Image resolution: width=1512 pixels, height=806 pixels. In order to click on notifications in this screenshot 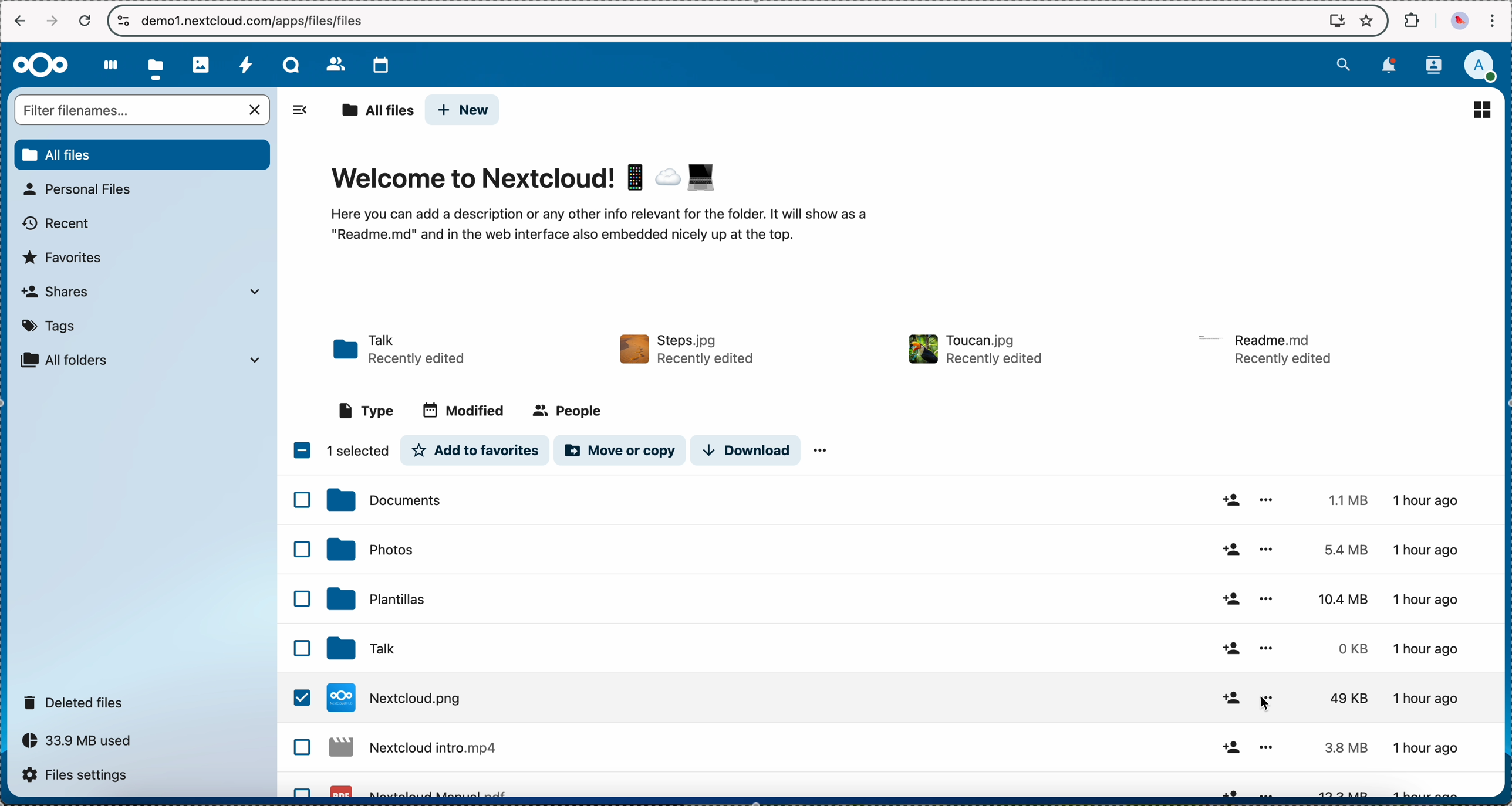, I will do `click(1391, 66)`.